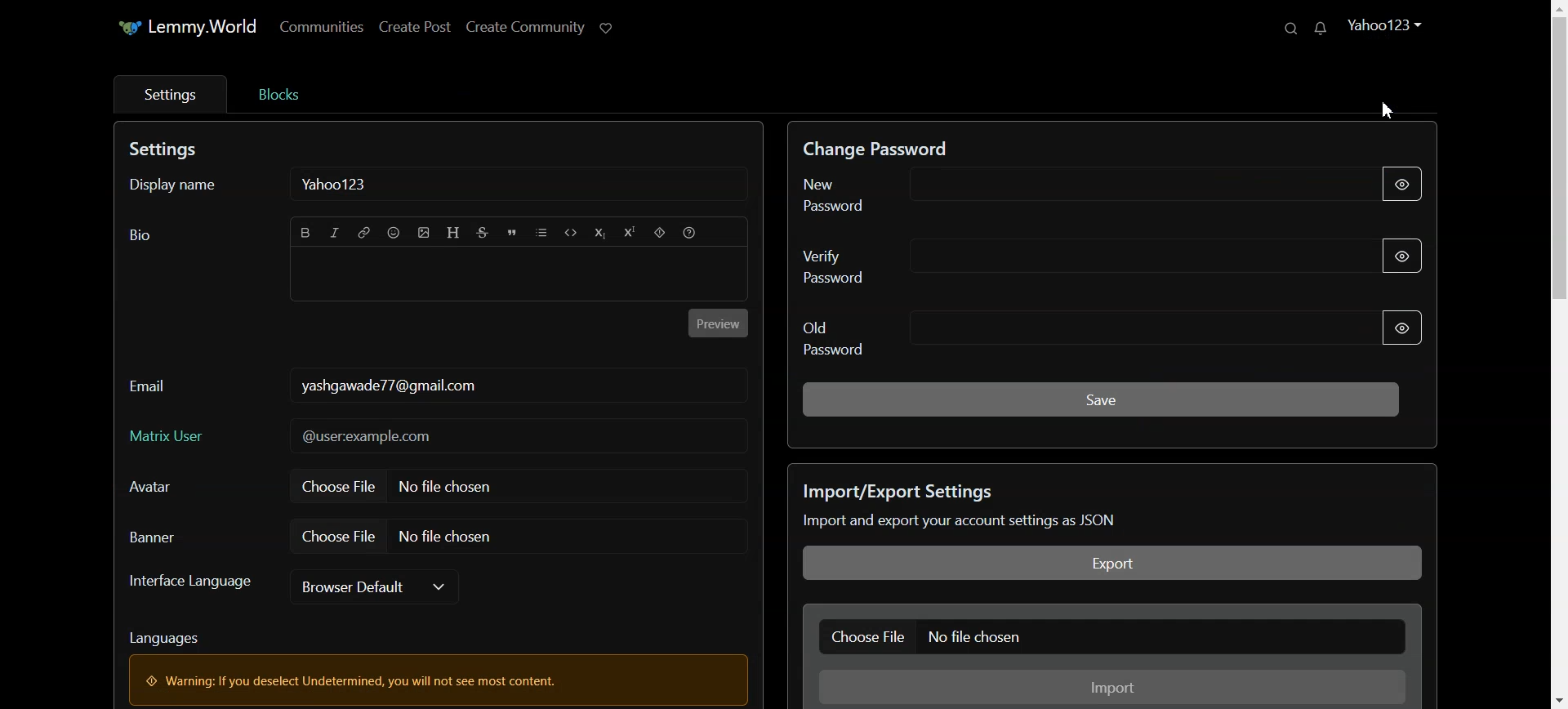 This screenshot has width=1568, height=709. Describe the element at coordinates (659, 231) in the screenshot. I see `Spoiler` at that location.